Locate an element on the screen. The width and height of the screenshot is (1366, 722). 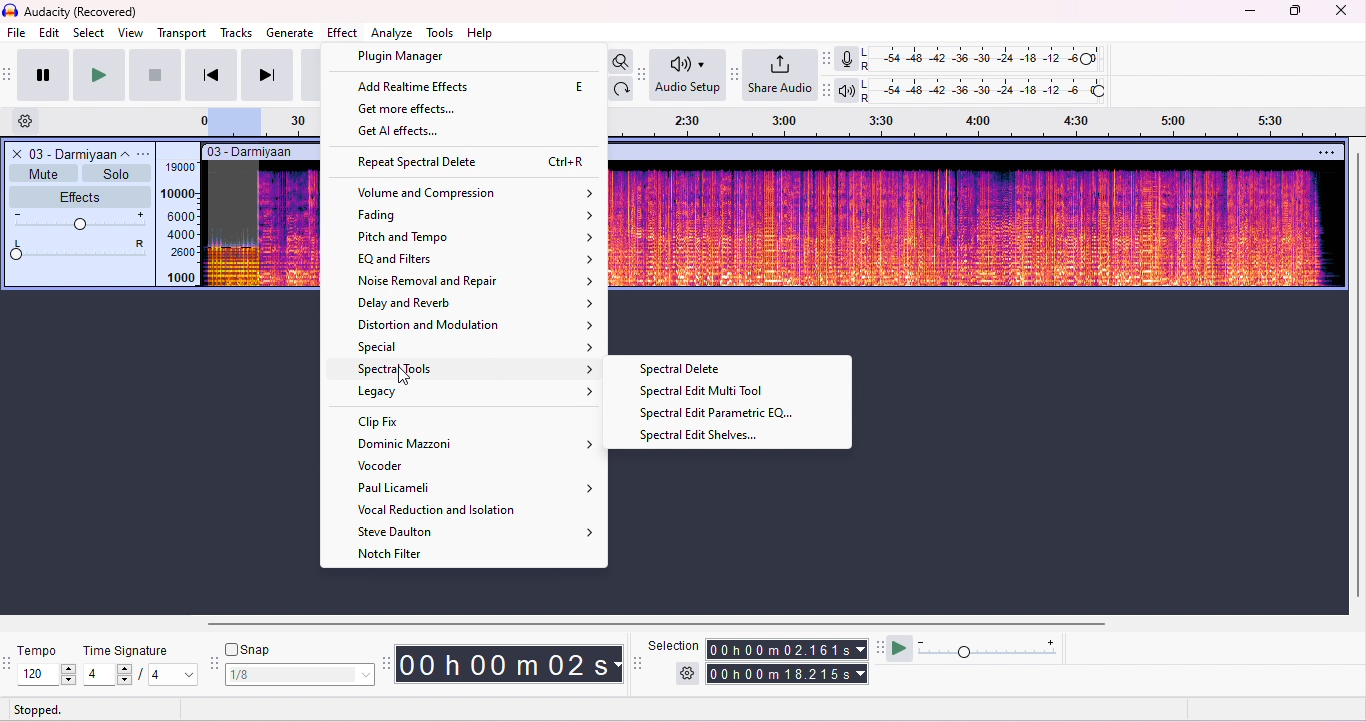
solo is located at coordinates (116, 173).